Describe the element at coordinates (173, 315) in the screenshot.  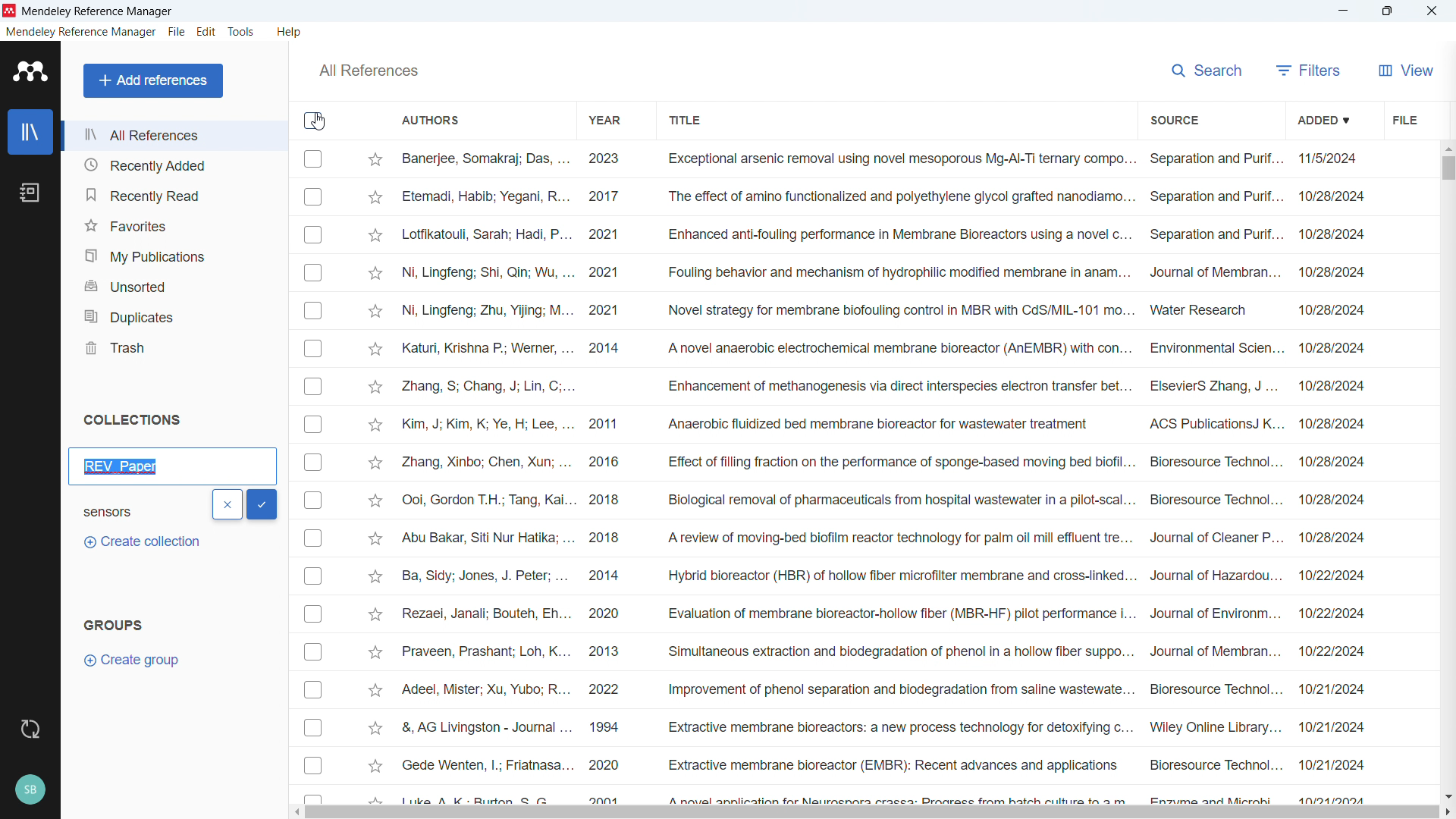
I see `Duplicates ` at that location.